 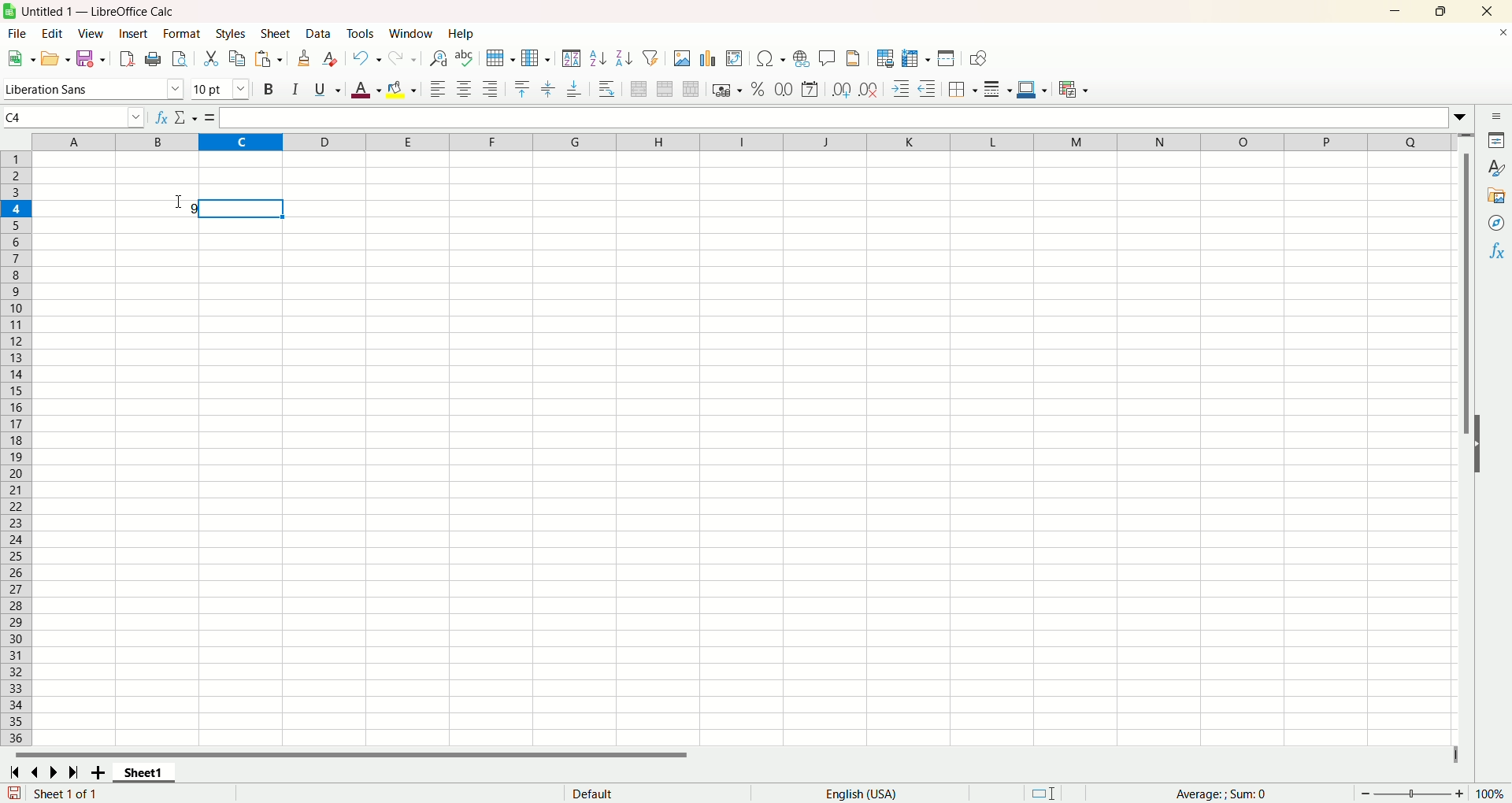 What do you see at coordinates (598, 60) in the screenshot?
I see `sort ascending` at bounding box center [598, 60].